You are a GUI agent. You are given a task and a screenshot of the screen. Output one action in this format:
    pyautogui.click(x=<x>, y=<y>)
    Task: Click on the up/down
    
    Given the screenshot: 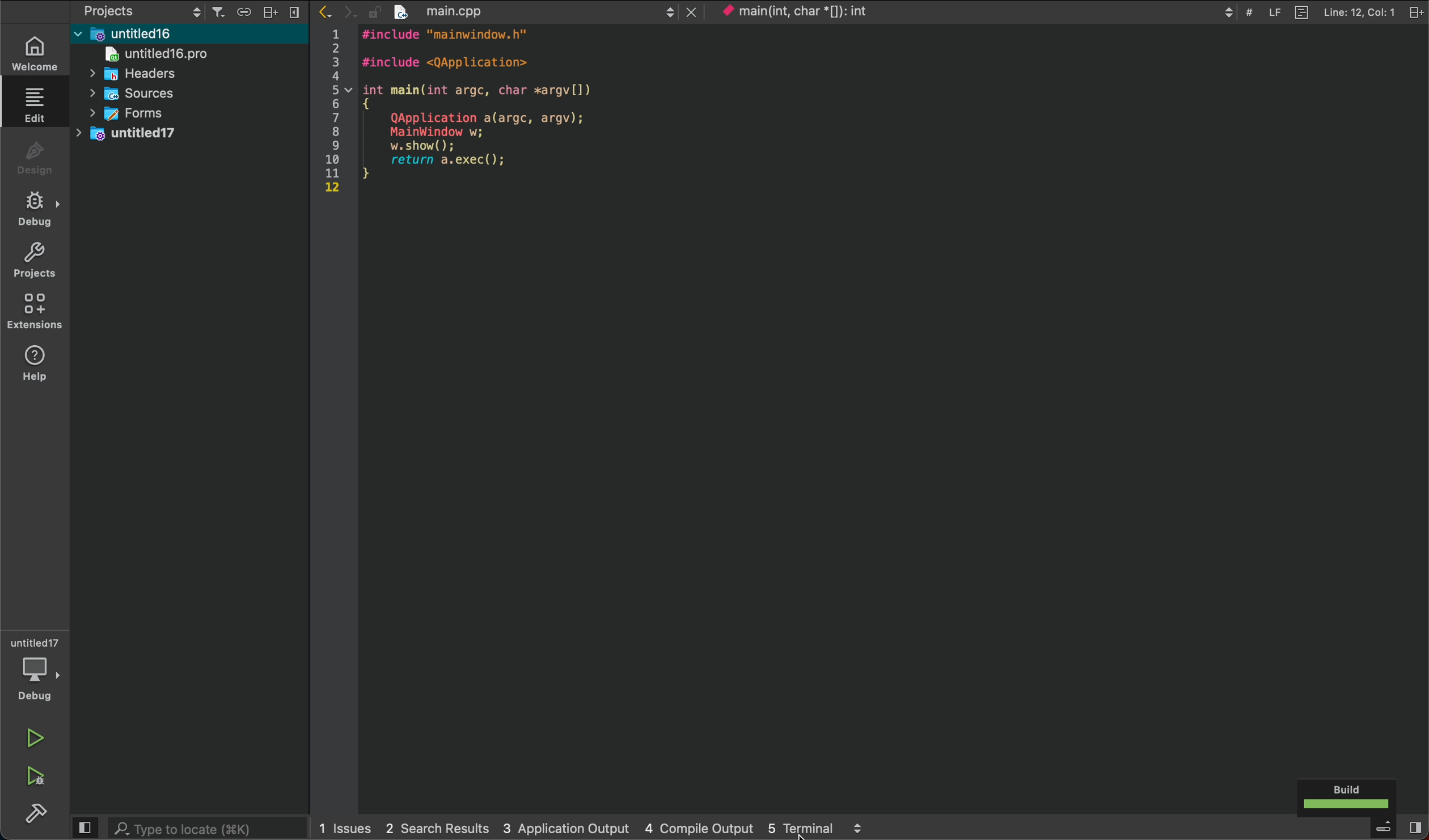 What is the action you would take?
    pyautogui.click(x=195, y=10)
    